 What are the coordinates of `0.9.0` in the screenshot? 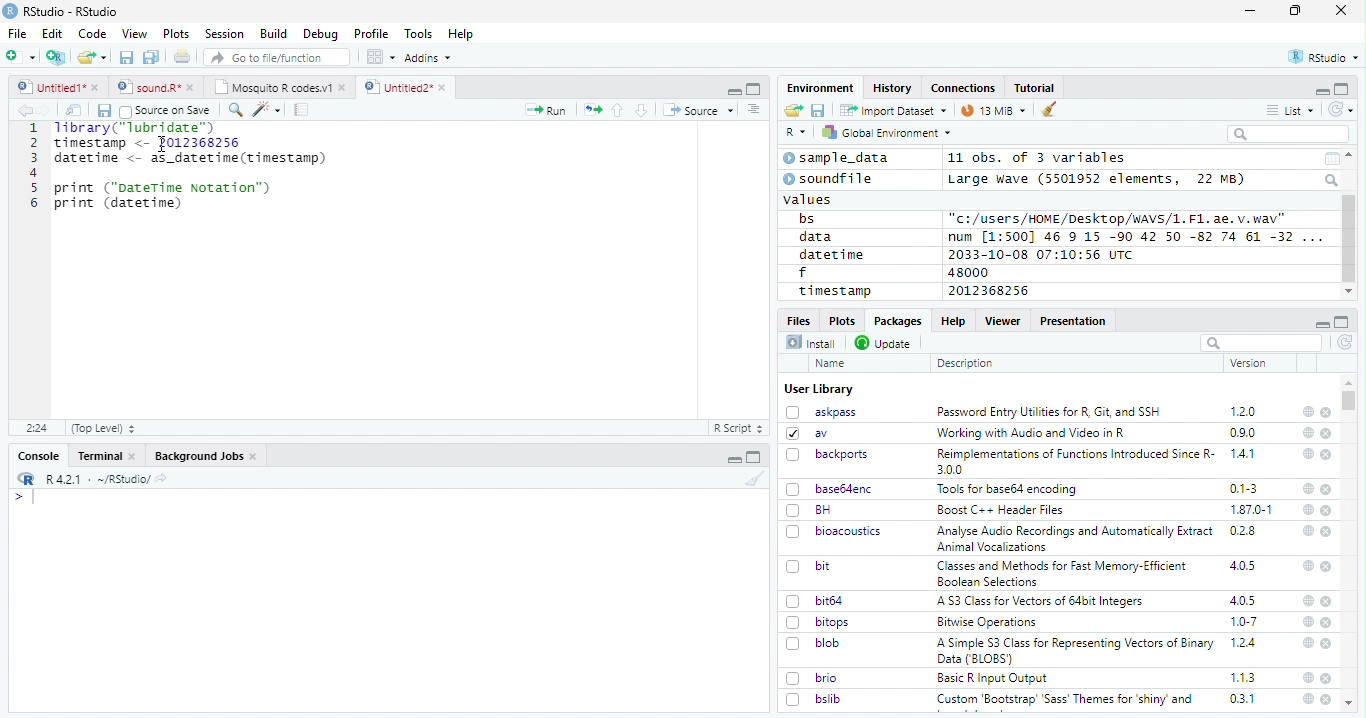 It's located at (1243, 433).